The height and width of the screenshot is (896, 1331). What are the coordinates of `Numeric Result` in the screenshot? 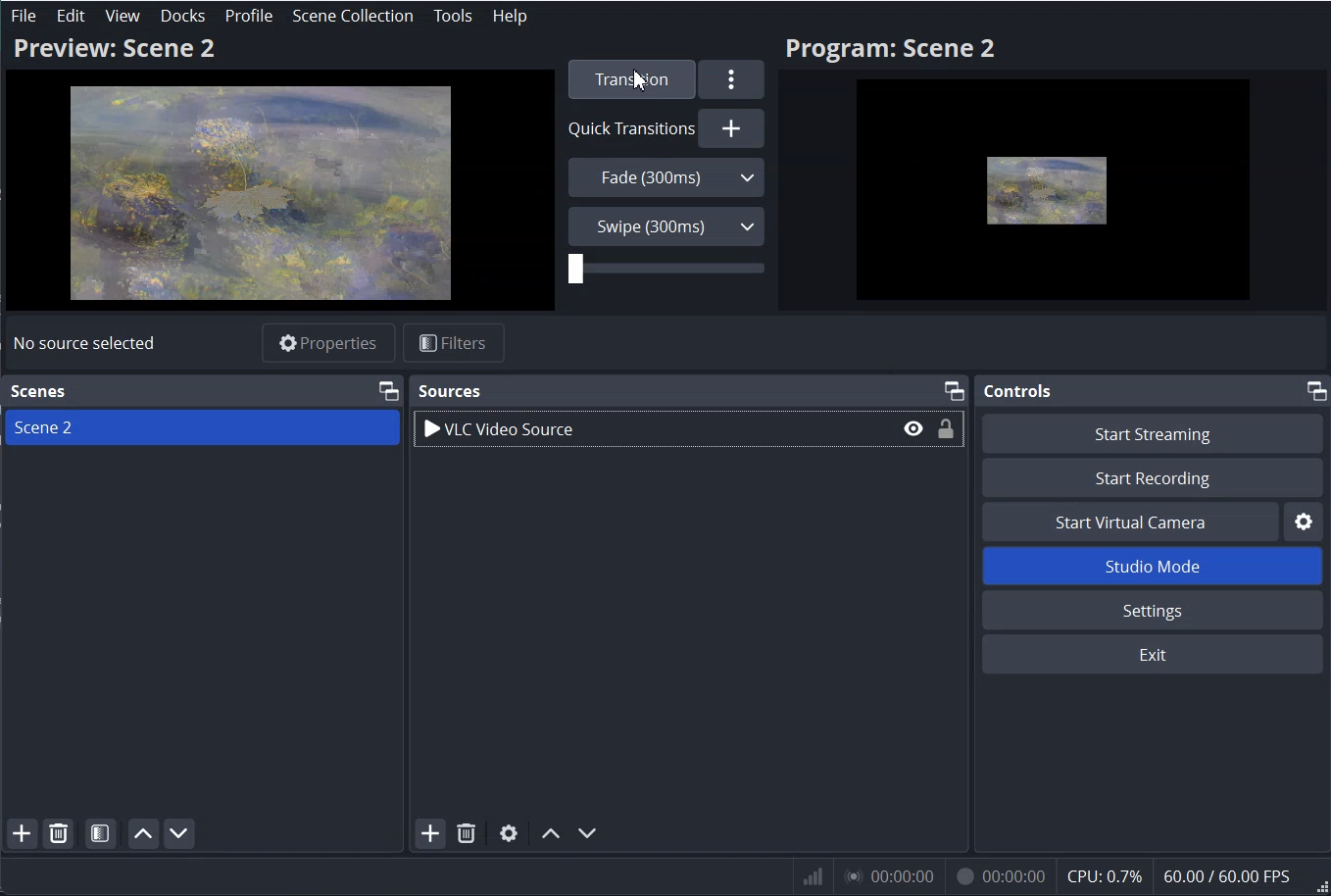 It's located at (1060, 874).